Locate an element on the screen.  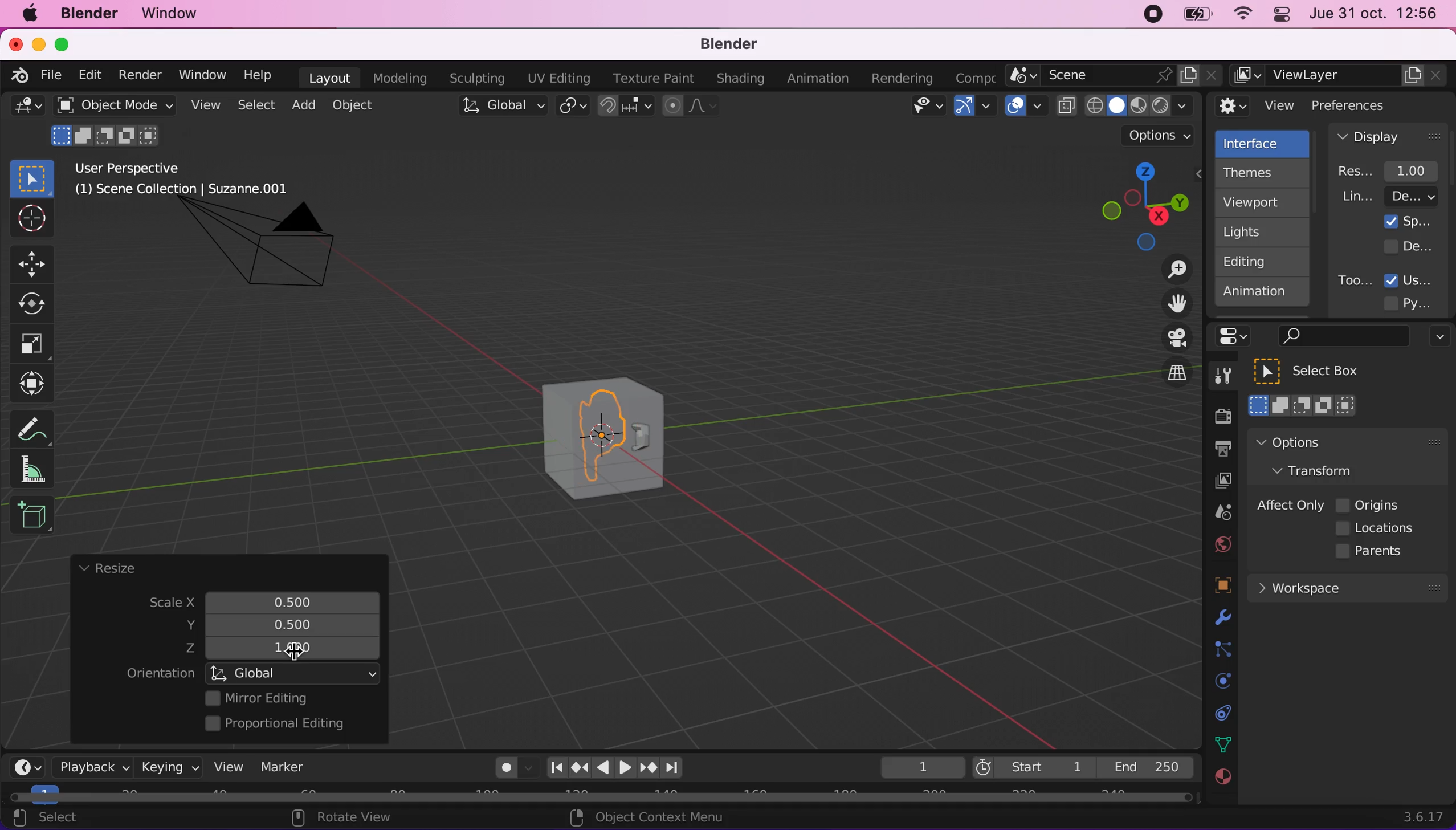
measure is located at coordinates (40, 469).